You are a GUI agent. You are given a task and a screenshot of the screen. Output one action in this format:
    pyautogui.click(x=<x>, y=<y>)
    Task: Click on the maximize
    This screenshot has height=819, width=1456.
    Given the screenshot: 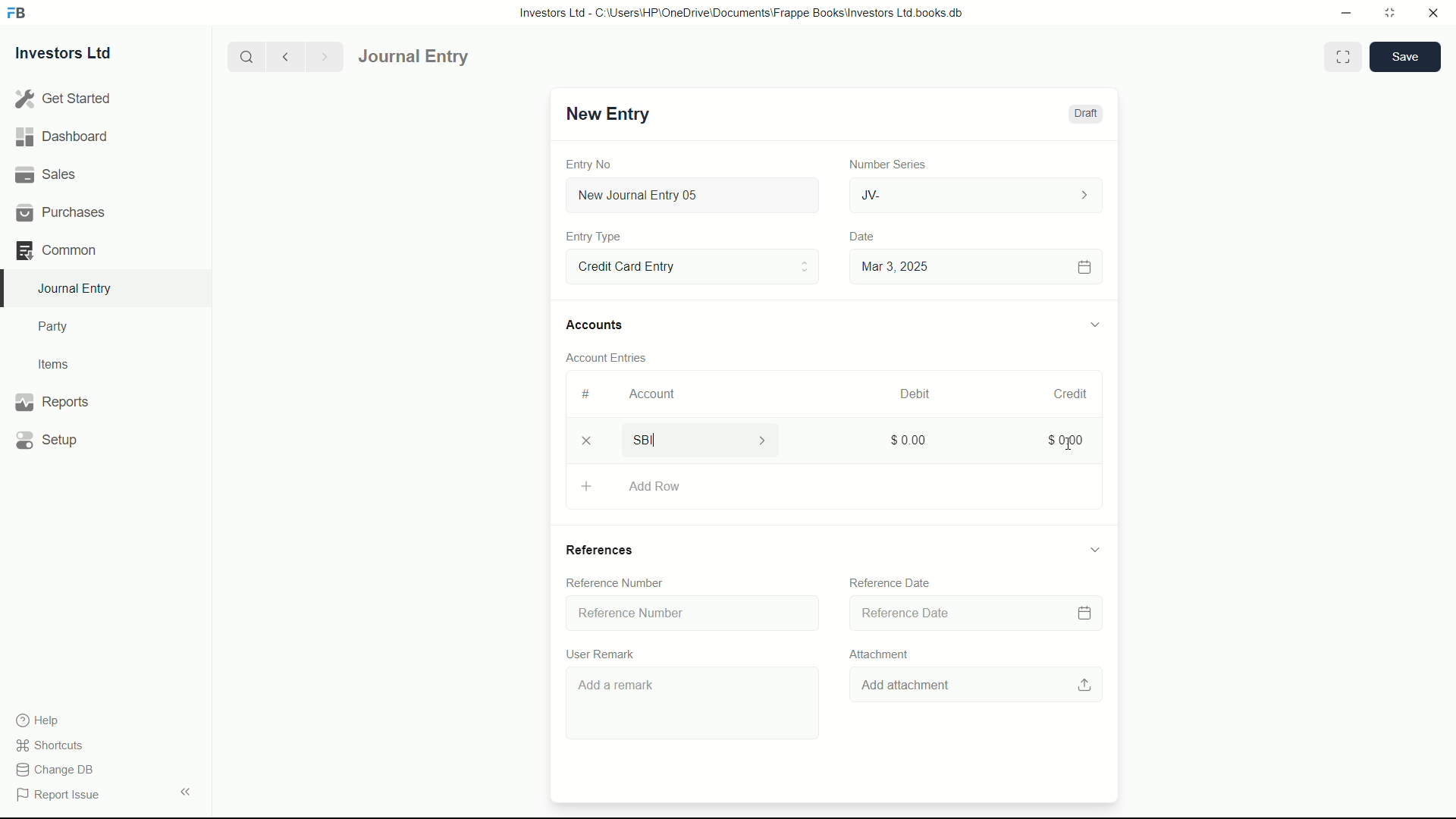 What is the action you would take?
    pyautogui.click(x=1389, y=11)
    